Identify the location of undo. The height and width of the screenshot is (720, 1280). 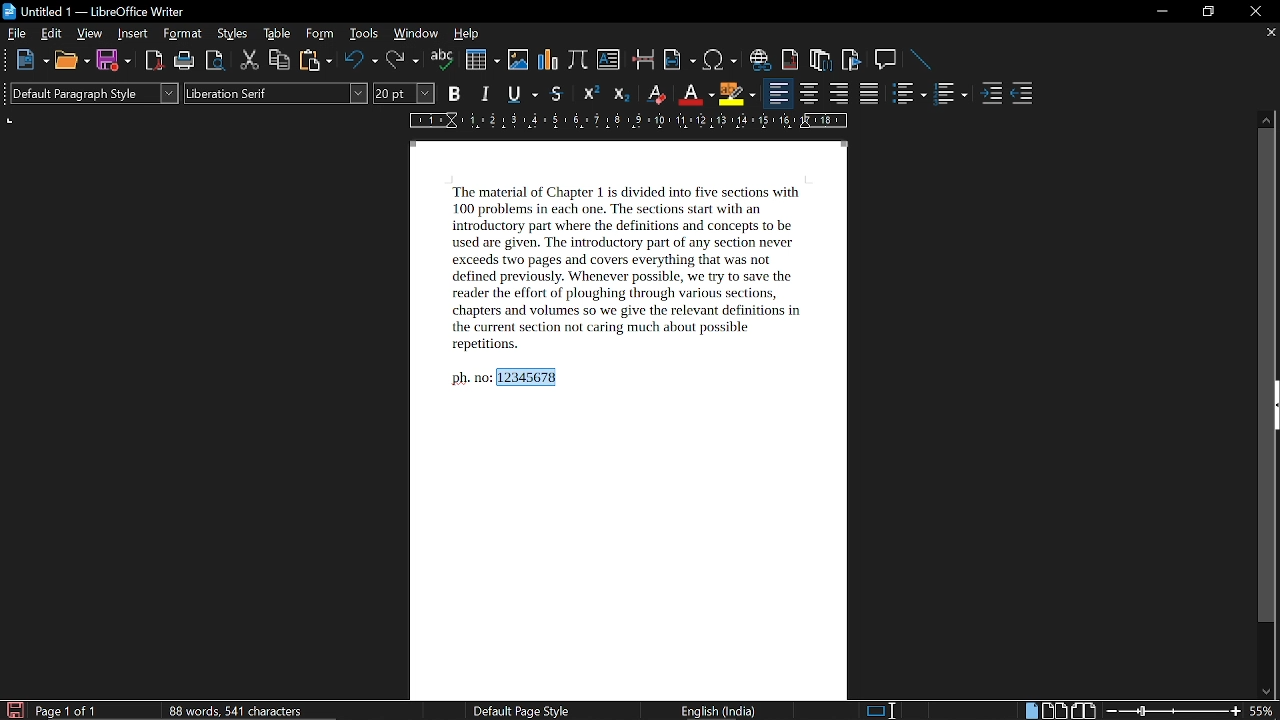
(359, 62).